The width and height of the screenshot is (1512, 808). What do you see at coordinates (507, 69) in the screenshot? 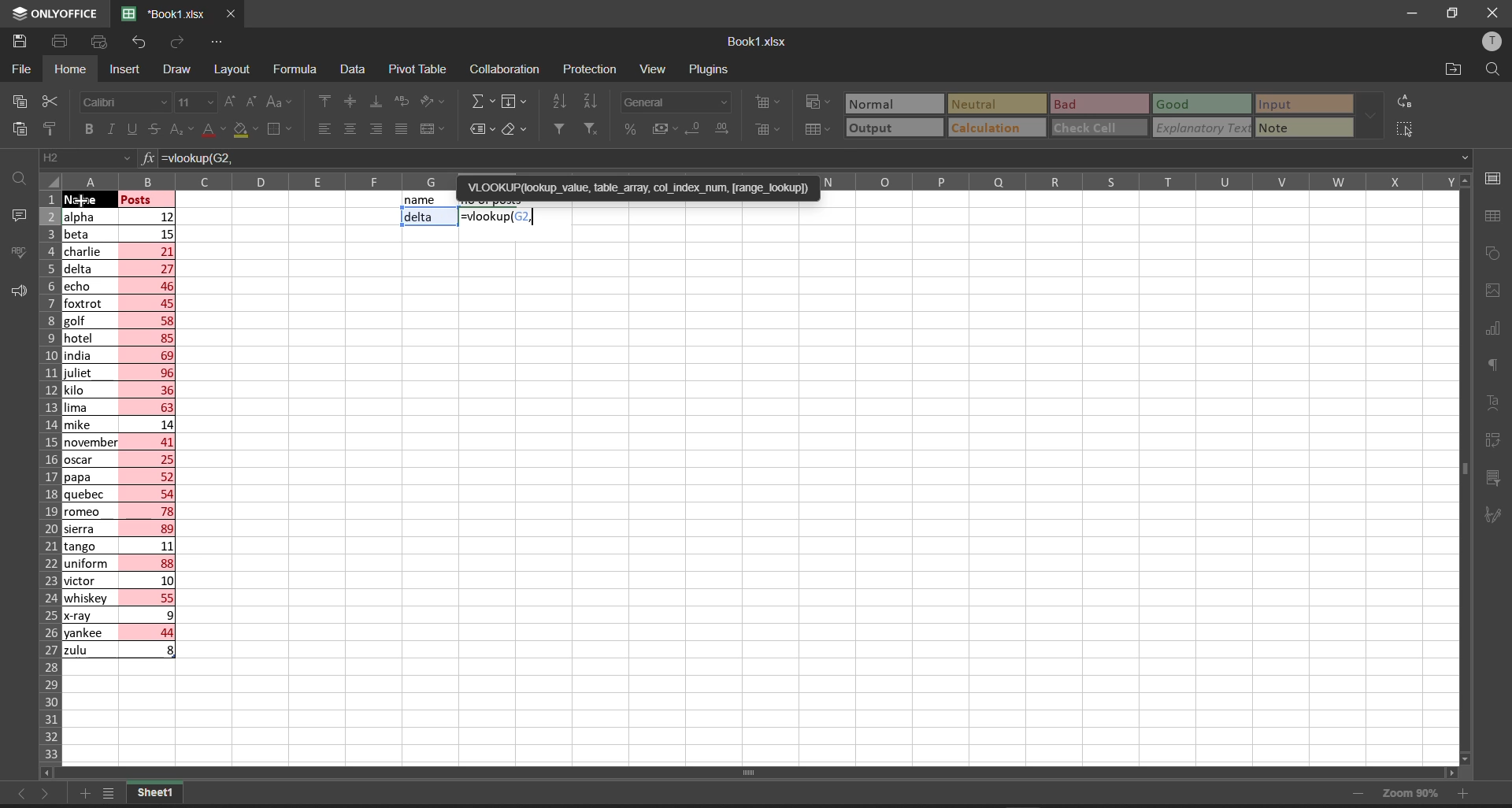
I see `collaboration` at bounding box center [507, 69].